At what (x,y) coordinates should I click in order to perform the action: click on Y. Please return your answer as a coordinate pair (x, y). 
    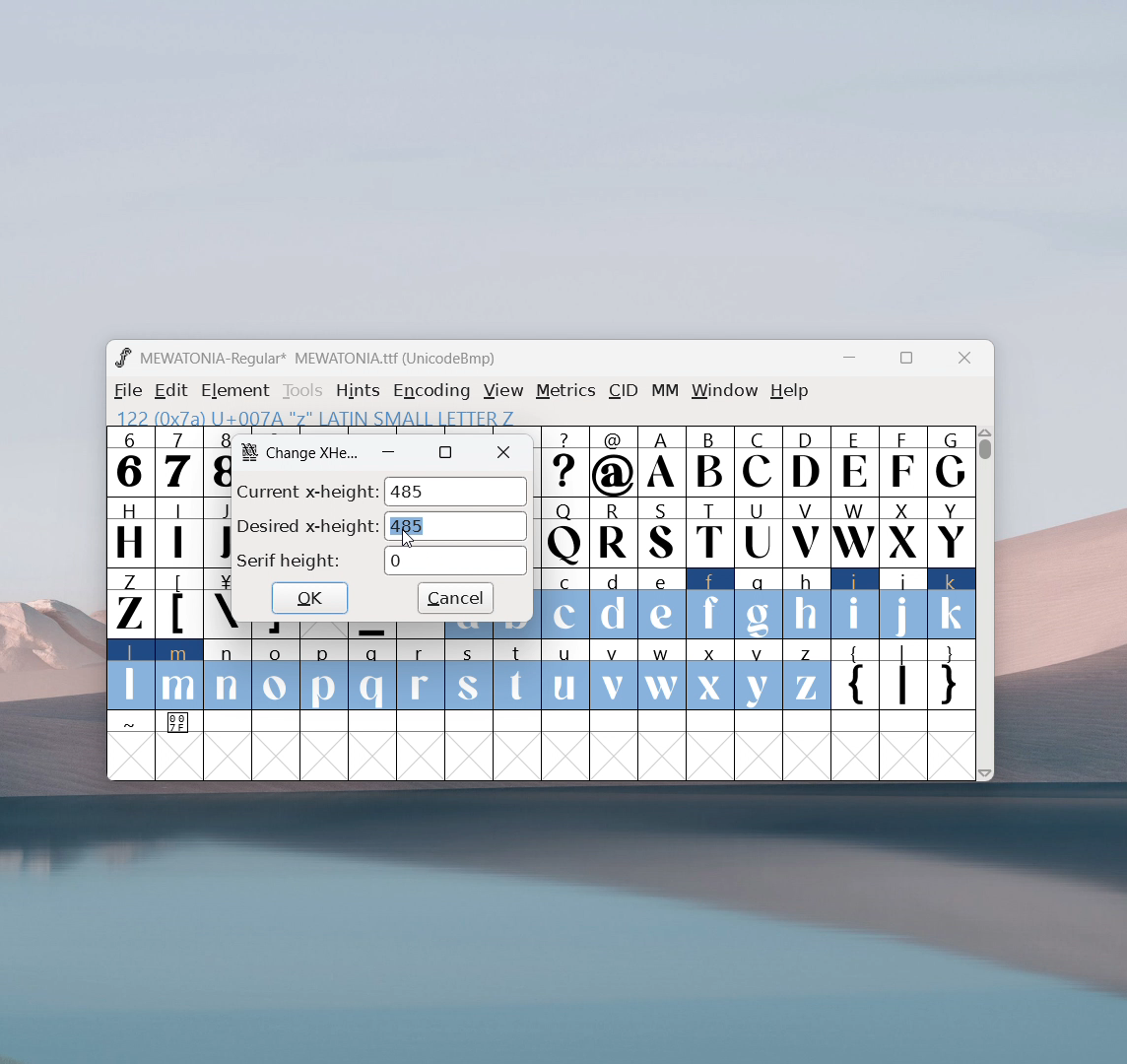
    Looking at the image, I should click on (952, 531).